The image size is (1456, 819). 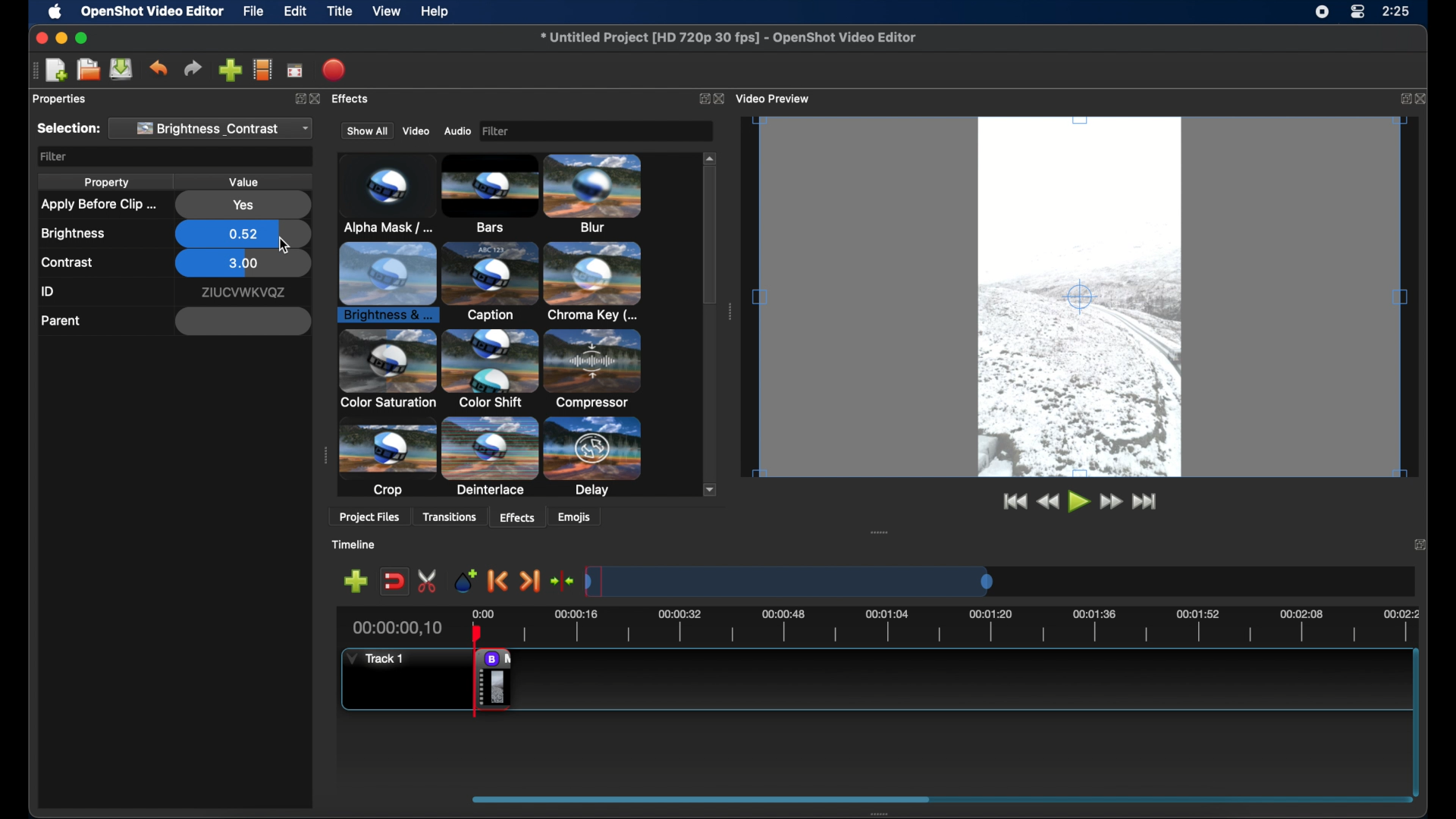 I want to click on disable snapping, so click(x=390, y=582).